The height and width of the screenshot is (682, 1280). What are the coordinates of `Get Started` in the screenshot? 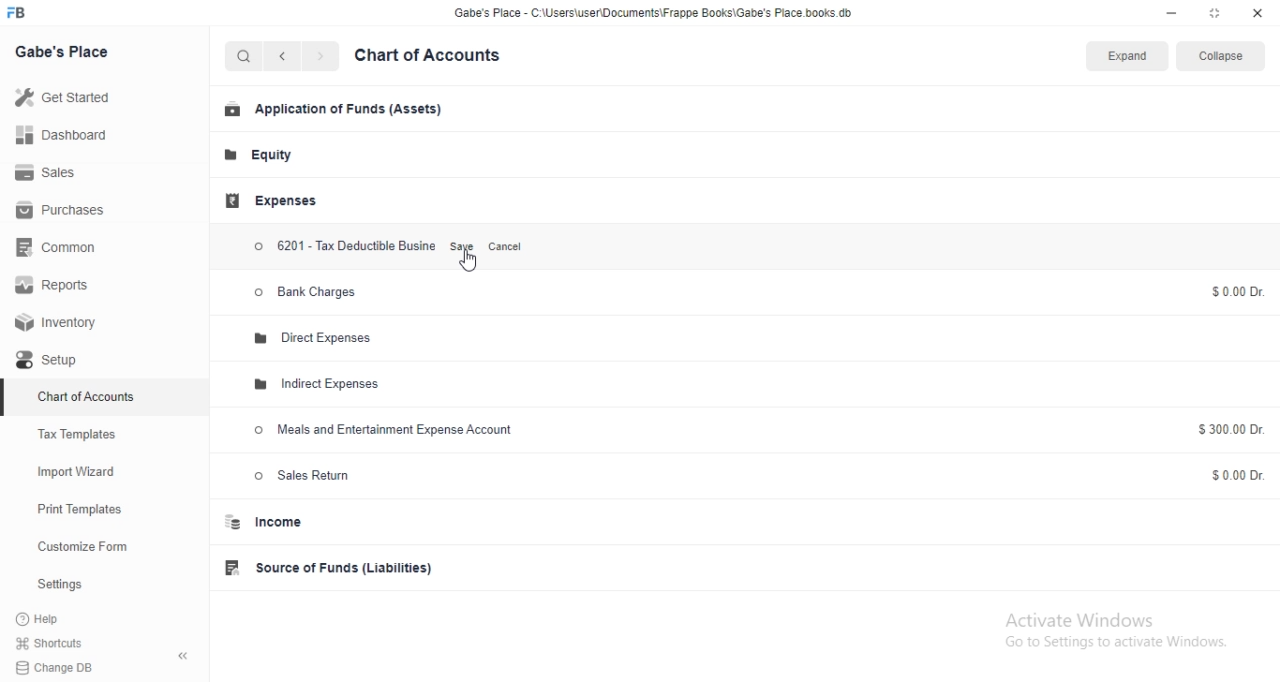 It's located at (69, 96).